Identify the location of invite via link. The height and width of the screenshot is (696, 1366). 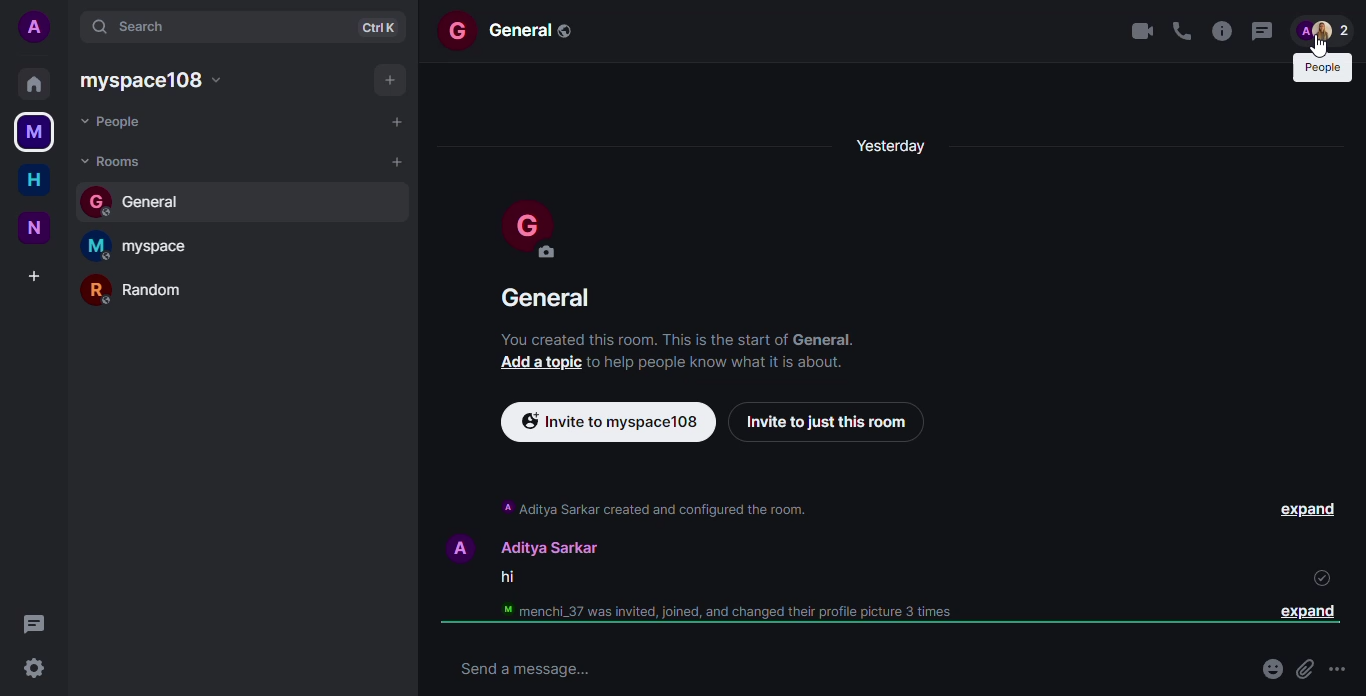
(607, 423).